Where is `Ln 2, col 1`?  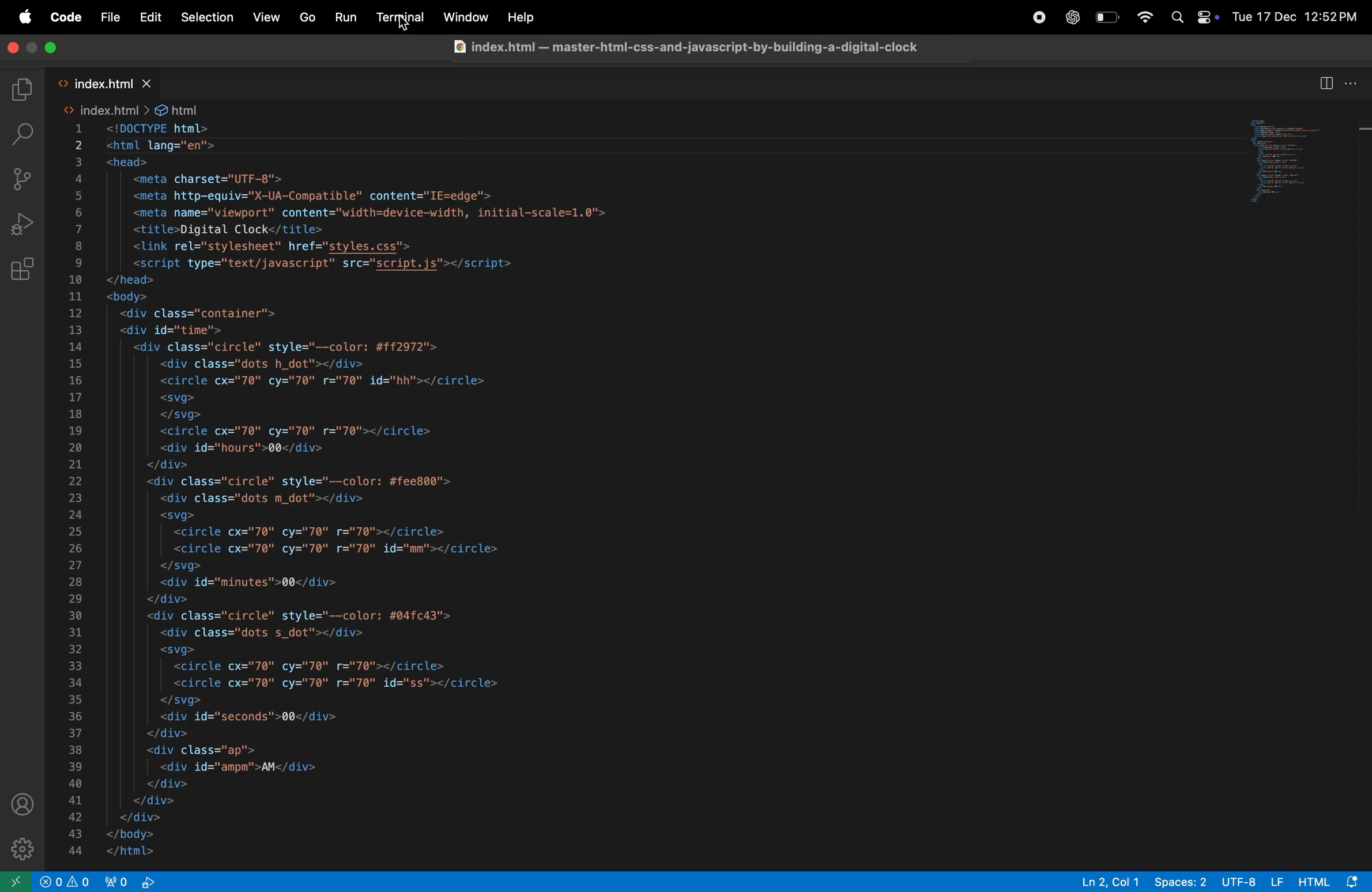
Ln 2, col 1 is located at coordinates (1110, 881).